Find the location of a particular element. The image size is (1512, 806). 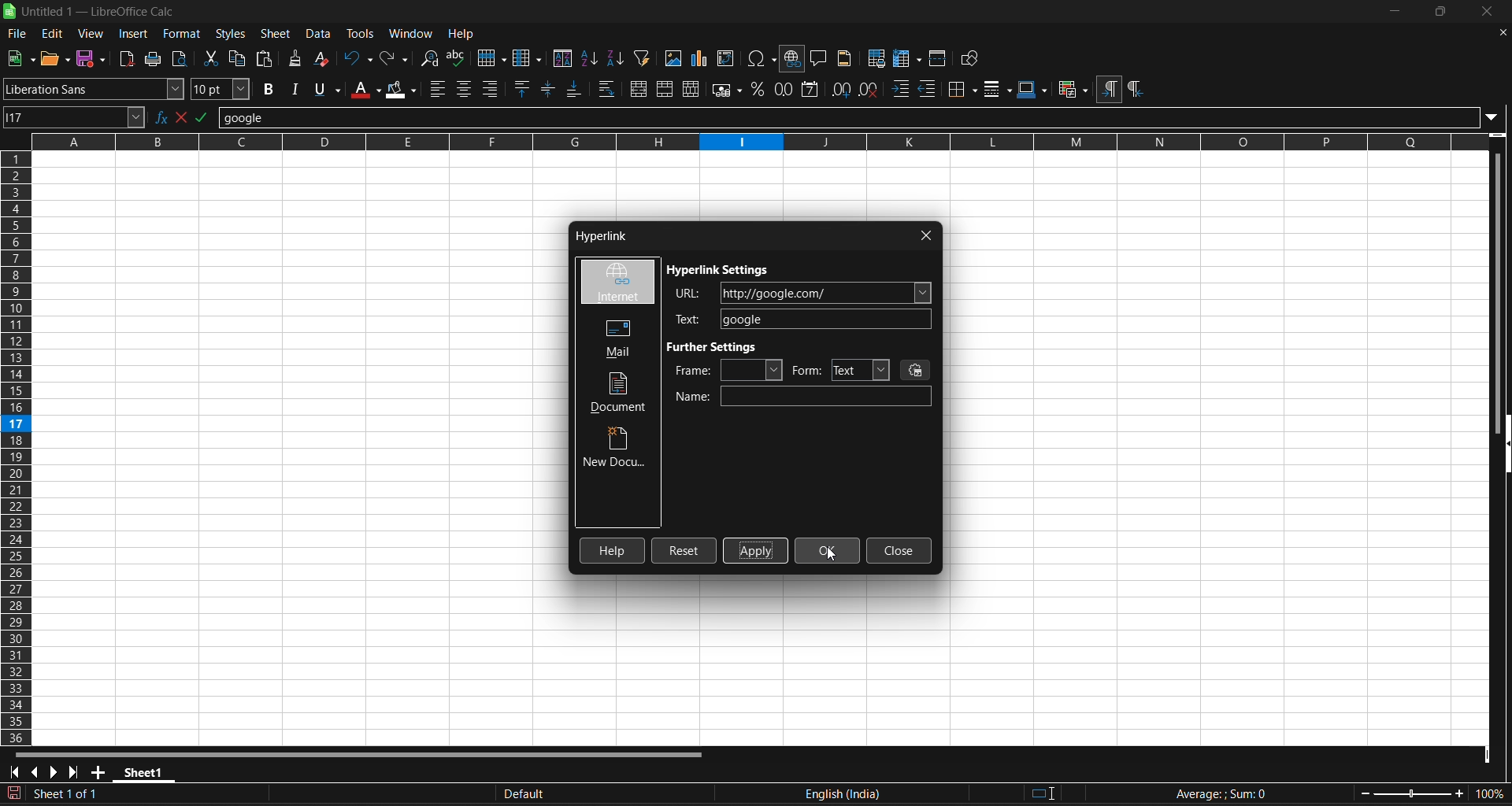

define print area is located at coordinates (876, 57).